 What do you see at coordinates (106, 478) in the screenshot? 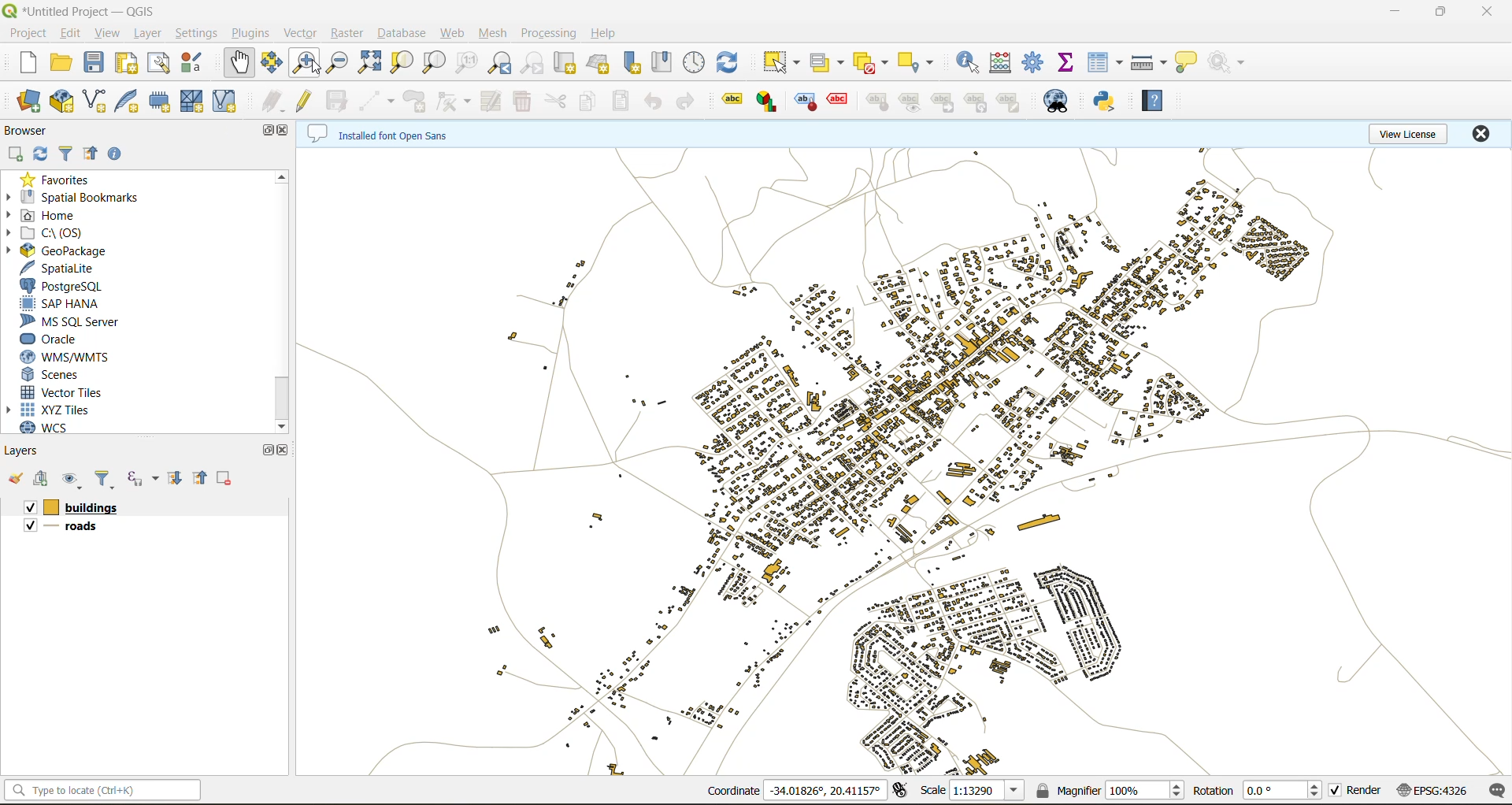
I see `filter` at bounding box center [106, 478].